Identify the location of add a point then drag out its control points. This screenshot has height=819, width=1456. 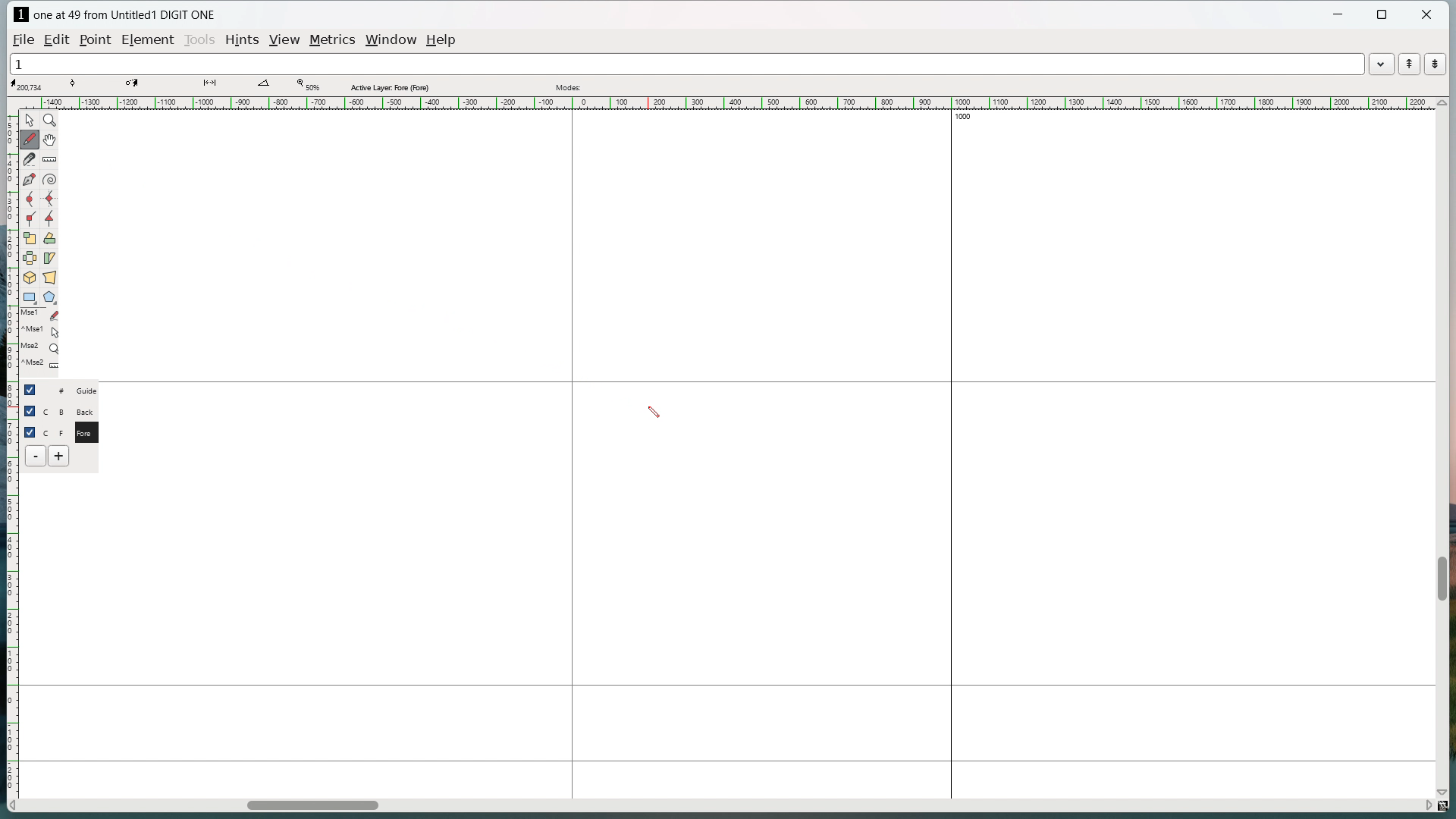
(30, 179).